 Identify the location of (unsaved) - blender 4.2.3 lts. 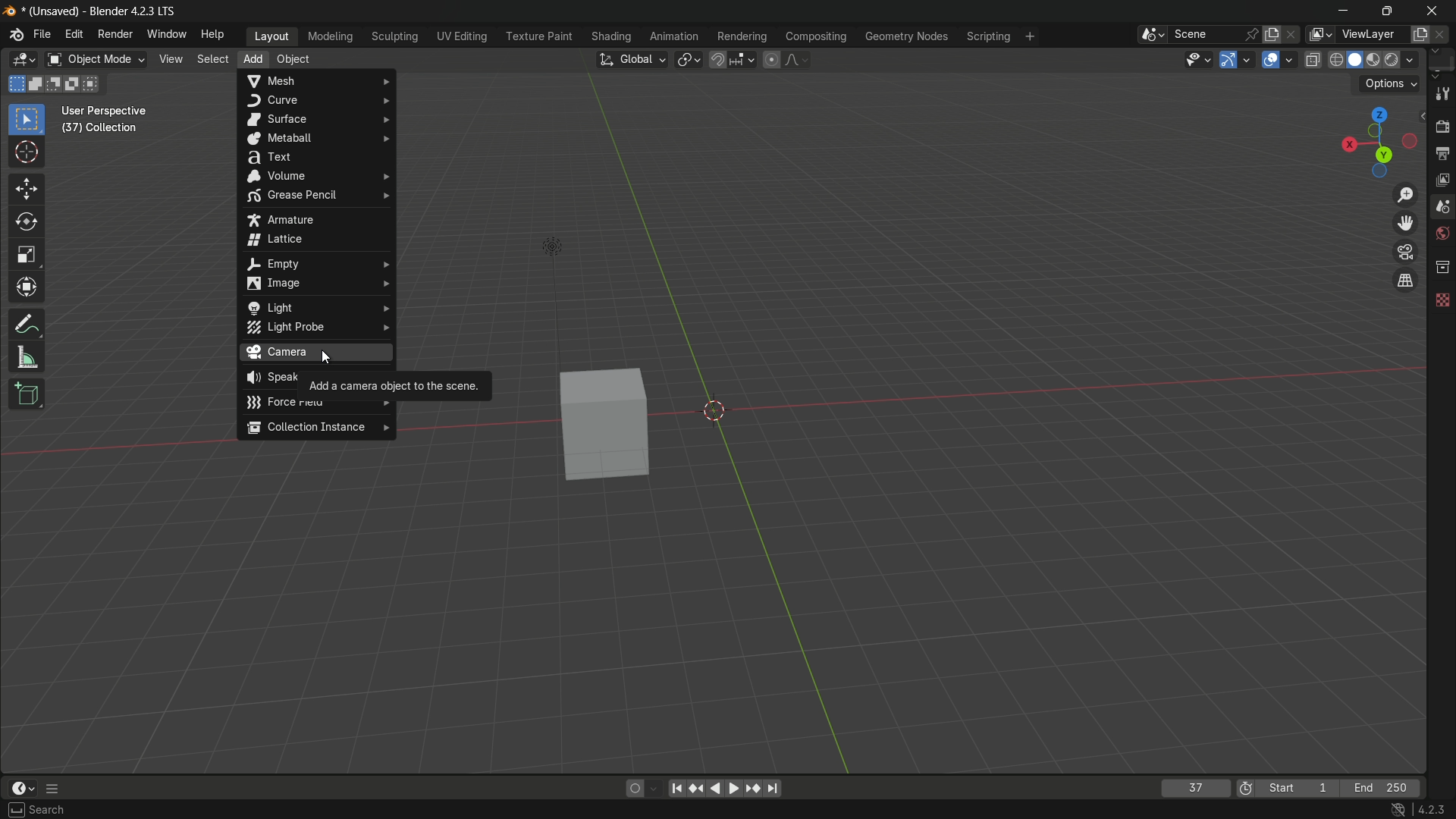
(101, 11).